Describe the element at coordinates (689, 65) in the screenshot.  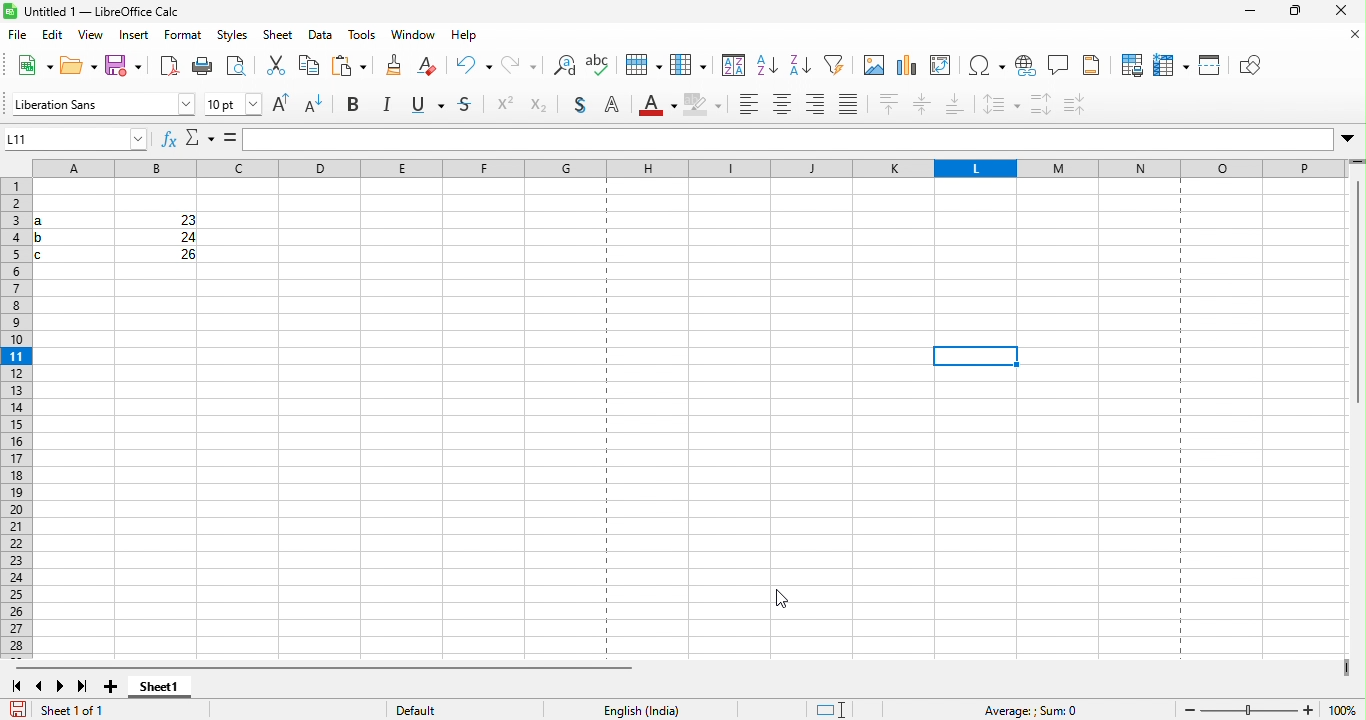
I see `sort` at that location.